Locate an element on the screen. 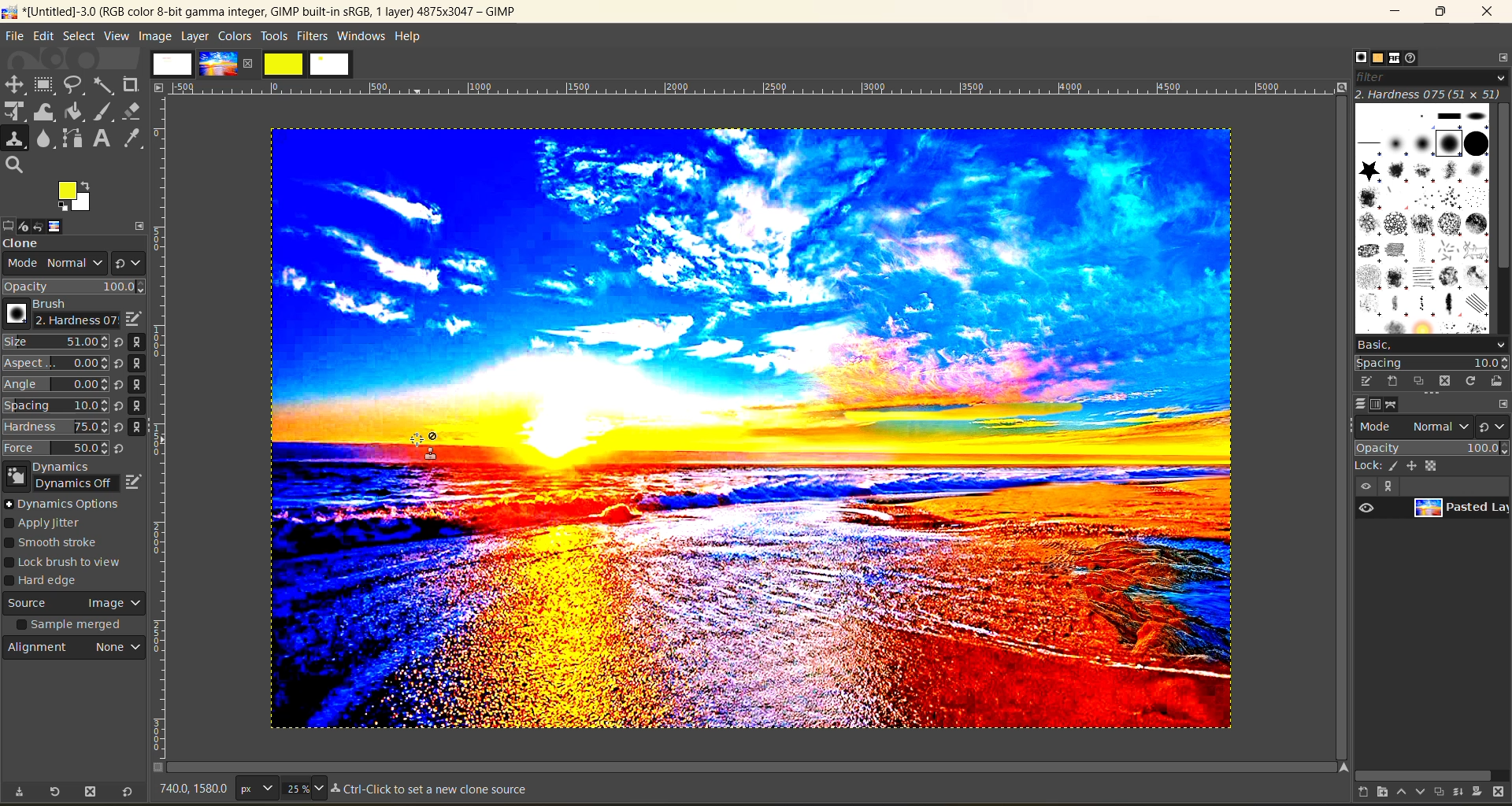 This screenshot has height=806, width=1512. edit  is located at coordinates (132, 319).